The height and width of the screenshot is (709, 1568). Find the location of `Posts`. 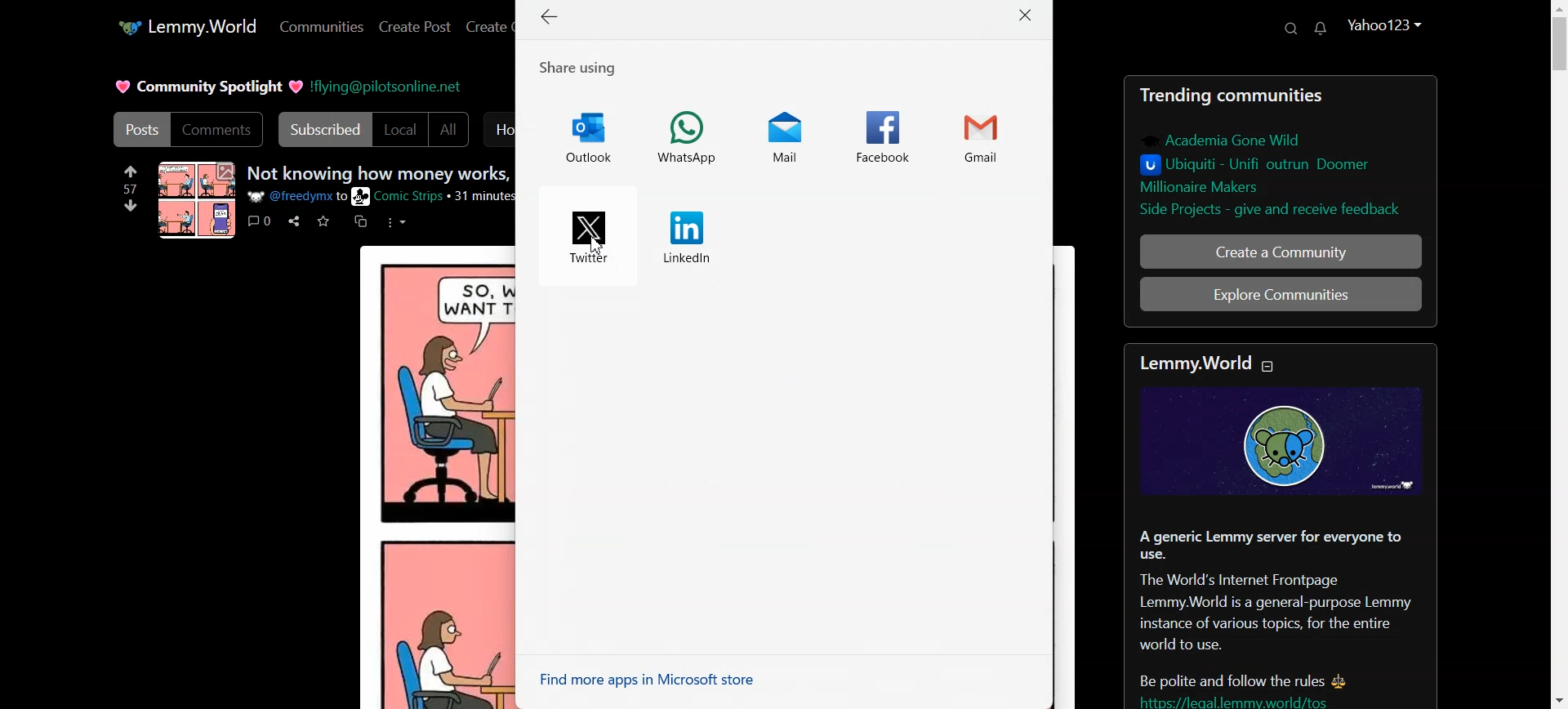

Posts is located at coordinates (1280, 151).